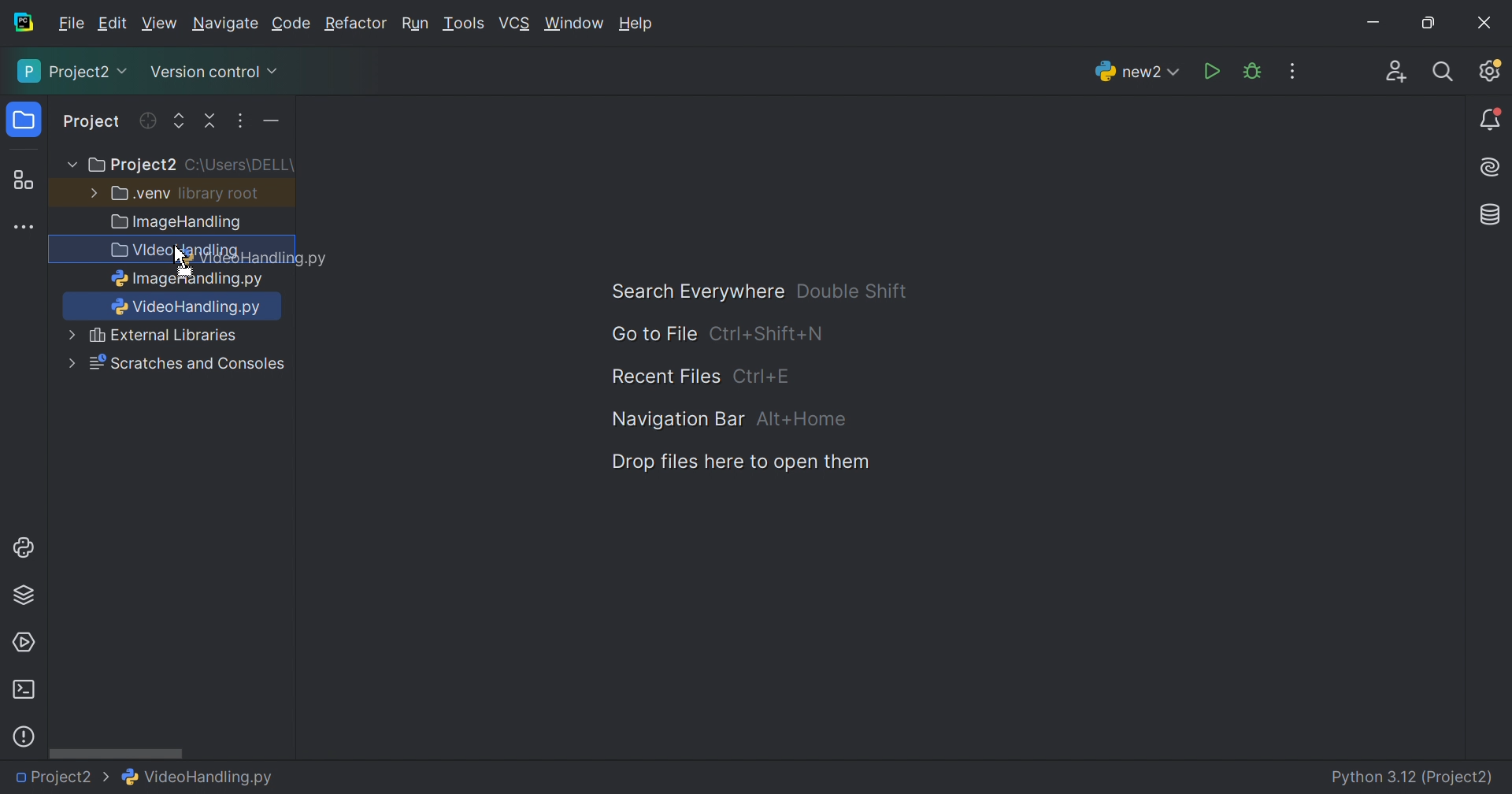 The height and width of the screenshot is (794, 1512). What do you see at coordinates (212, 121) in the screenshot?
I see `Collapse all` at bounding box center [212, 121].